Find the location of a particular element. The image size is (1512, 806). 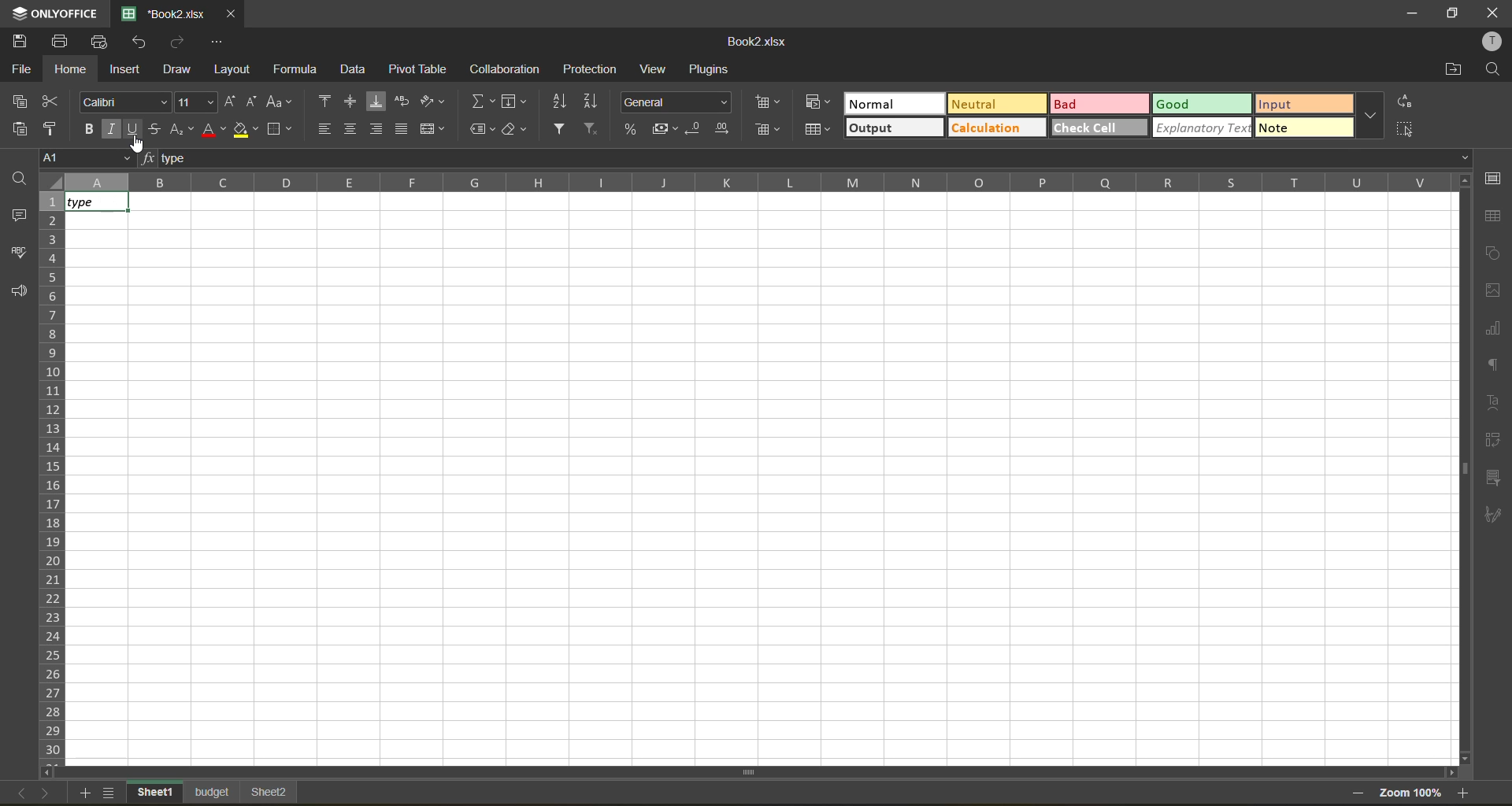

slicer is located at coordinates (1496, 478).